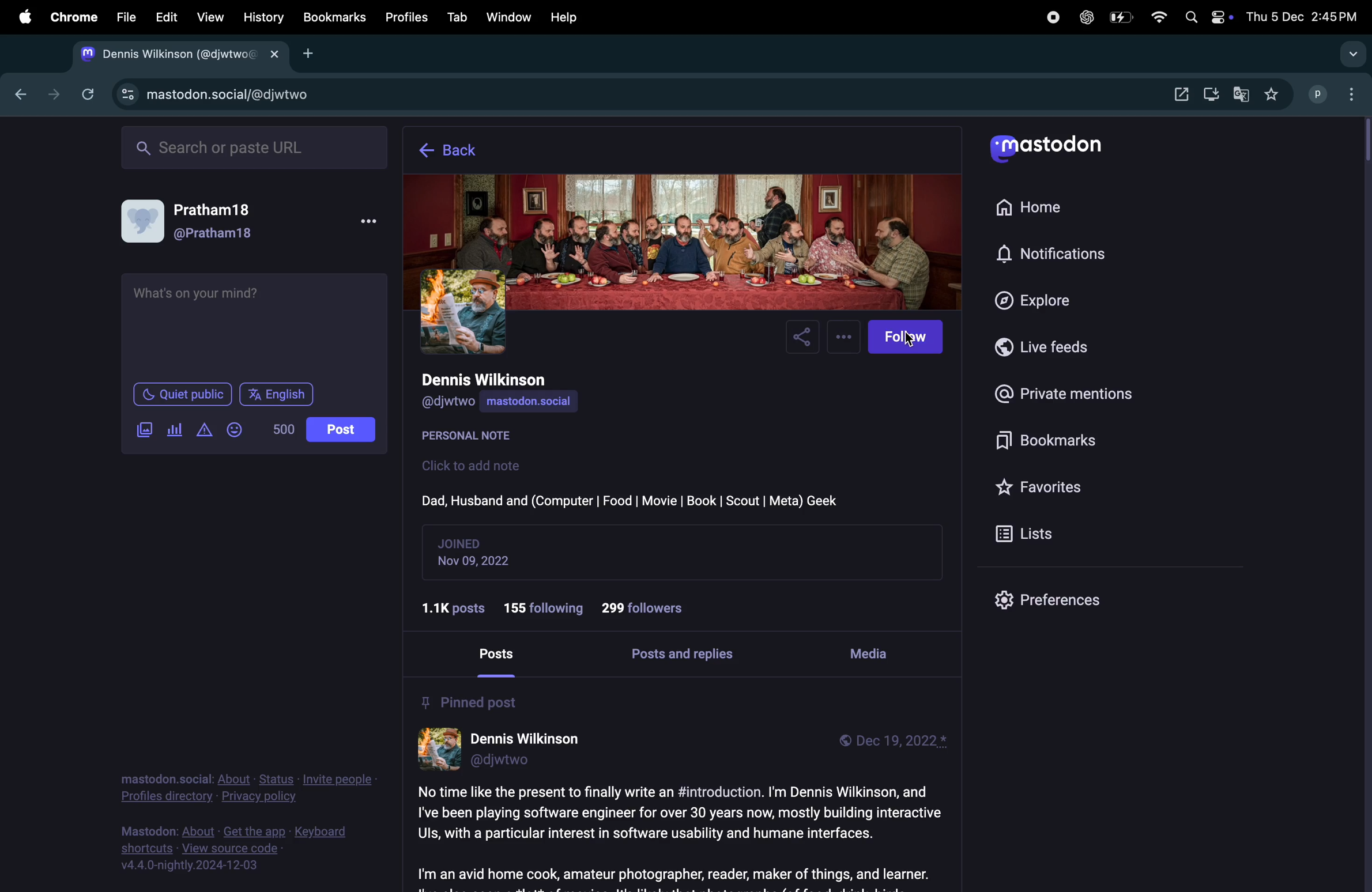 This screenshot has height=892, width=1372. Describe the element at coordinates (1206, 16) in the screenshot. I see `apple widgets` at that location.